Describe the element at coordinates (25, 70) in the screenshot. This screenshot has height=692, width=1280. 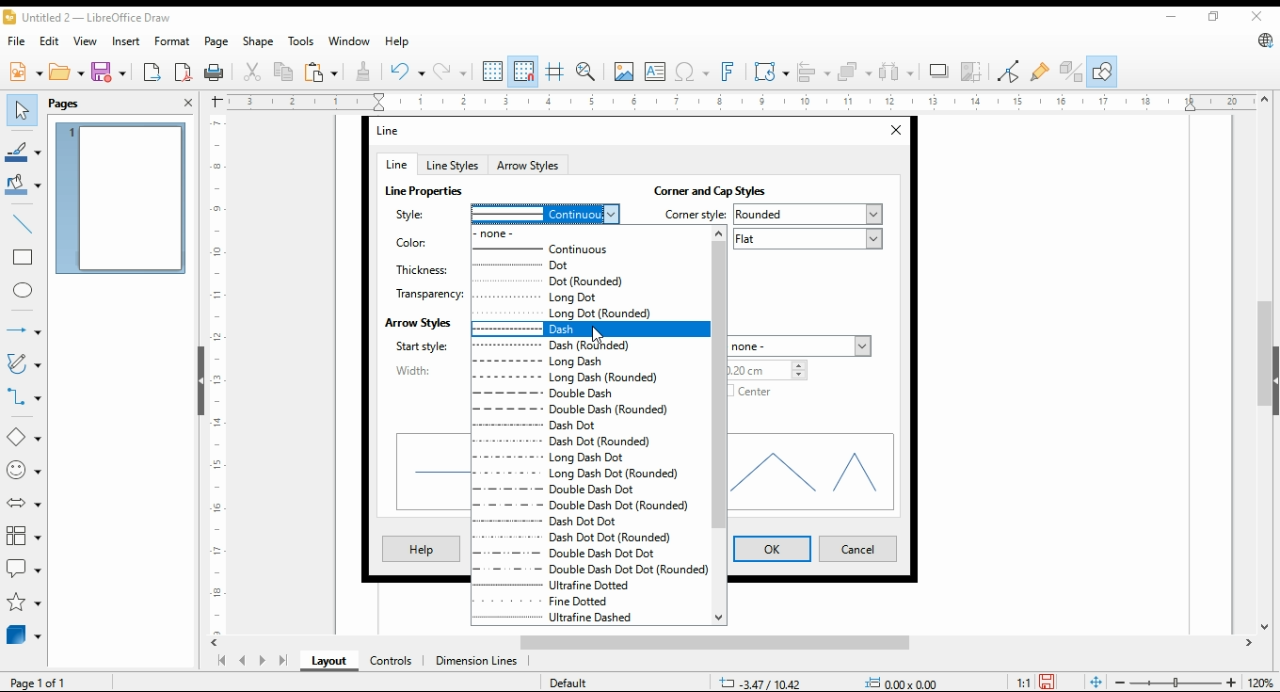
I see `new` at that location.